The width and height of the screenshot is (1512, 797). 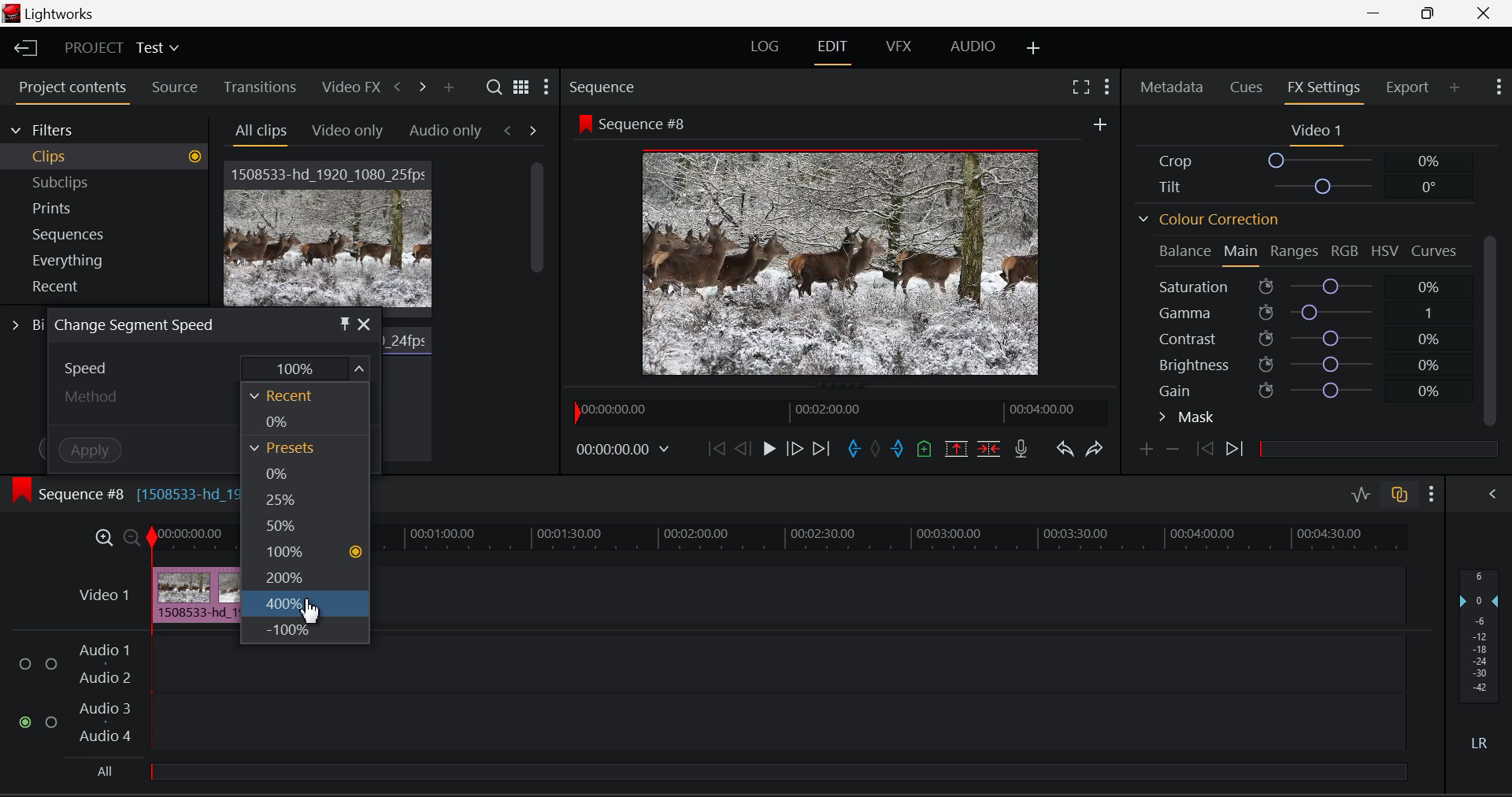 What do you see at coordinates (1430, 13) in the screenshot?
I see `Minimize` at bounding box center [1430, 13].